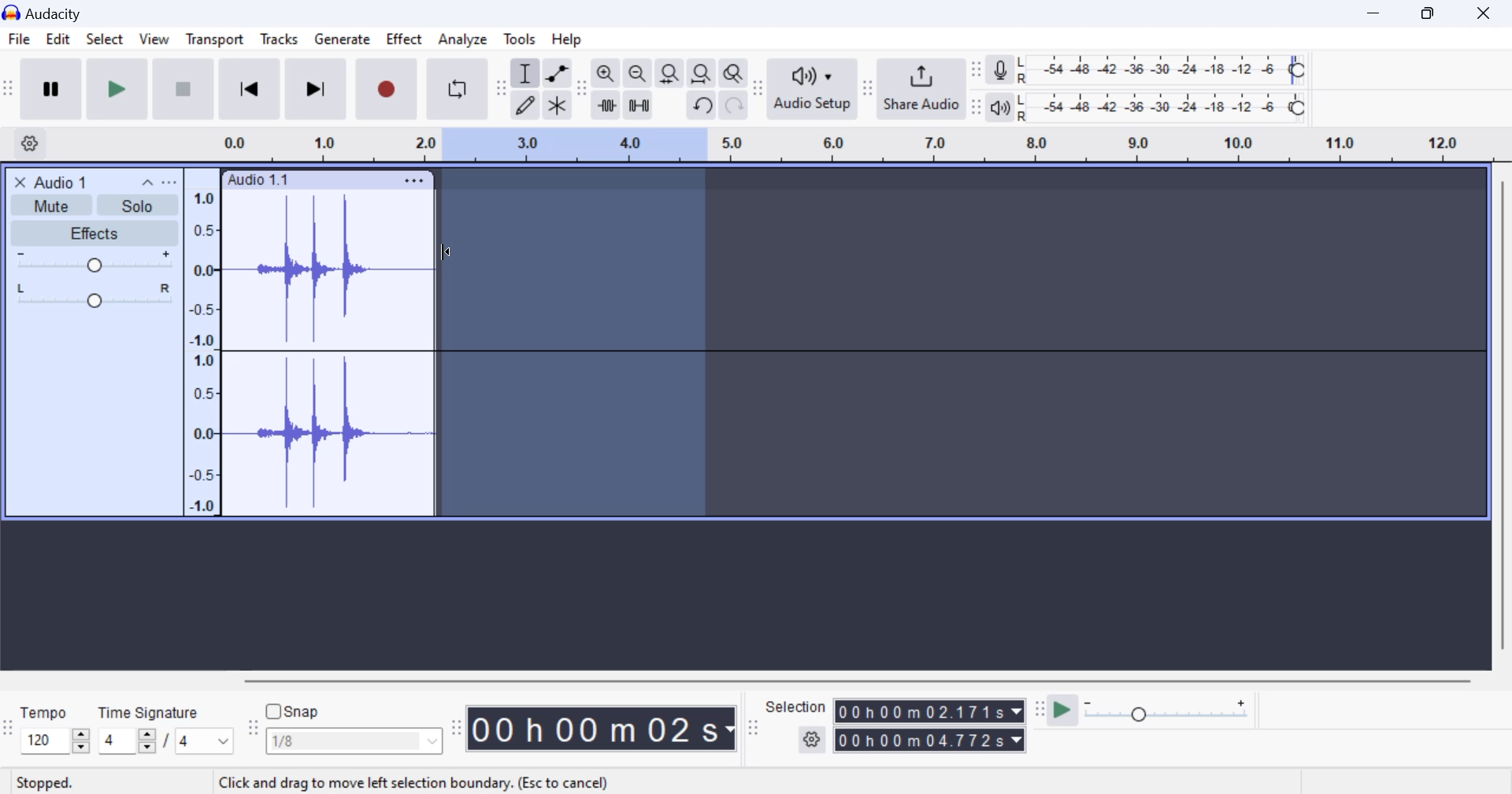  Describe the element at coordinates (91, 262) in the screenshot. I see `Volume` at that location.